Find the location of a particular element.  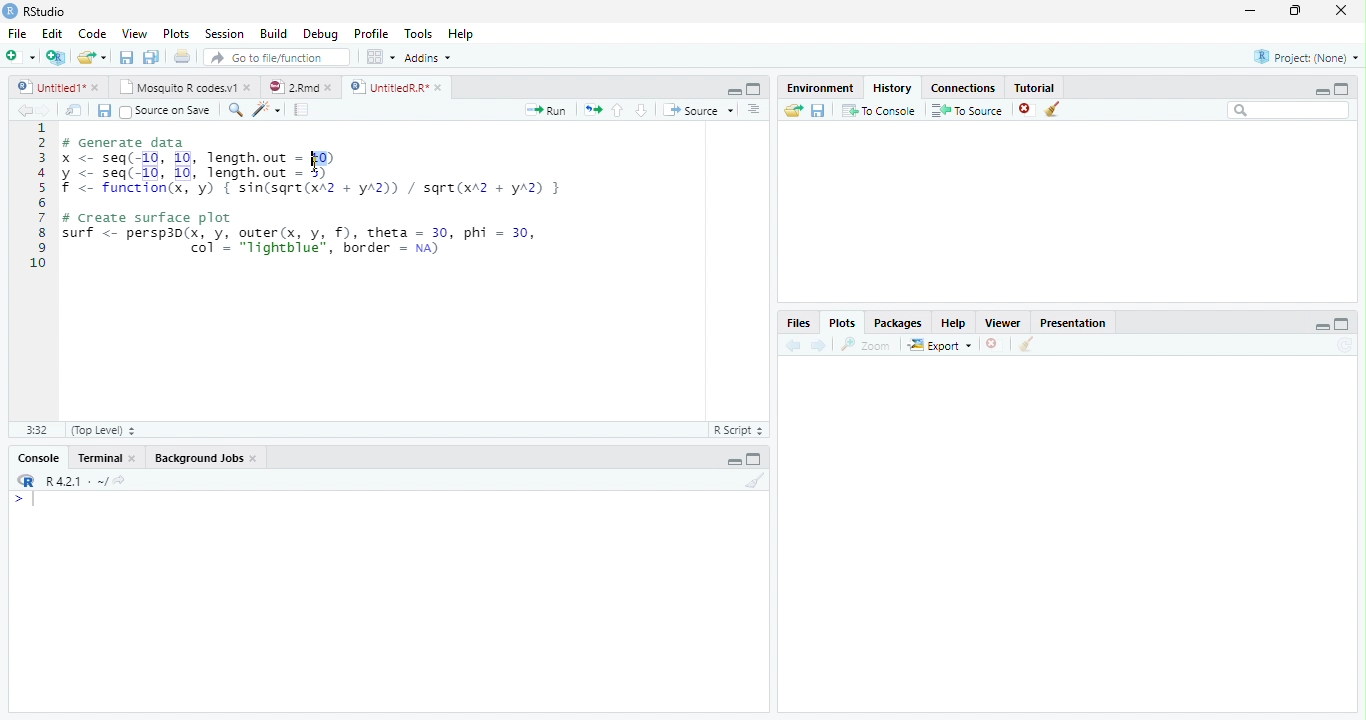

Untitled1* is located at coordinates (48, 86).